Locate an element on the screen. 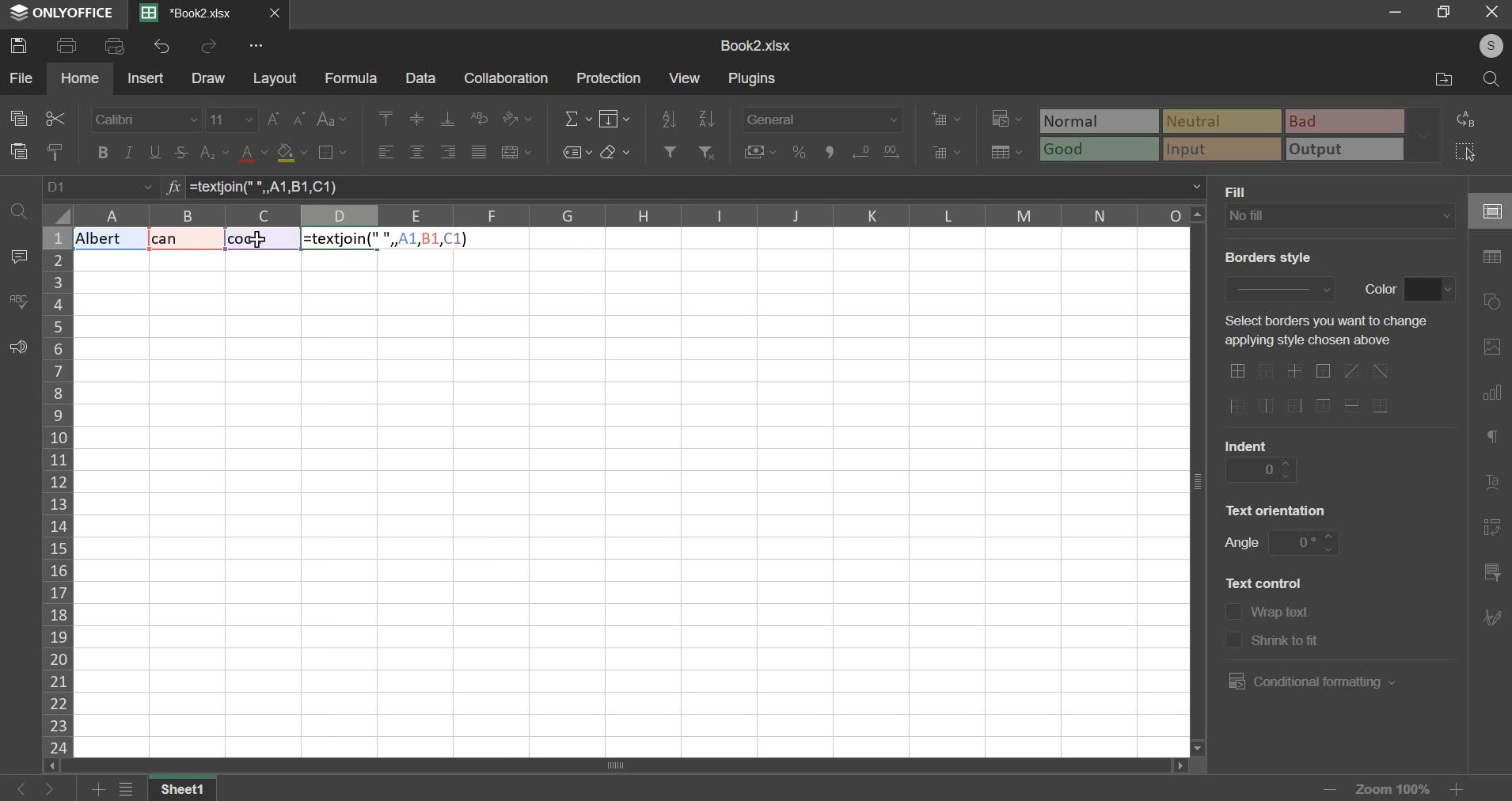  formula is located at coordinates (171, 188).